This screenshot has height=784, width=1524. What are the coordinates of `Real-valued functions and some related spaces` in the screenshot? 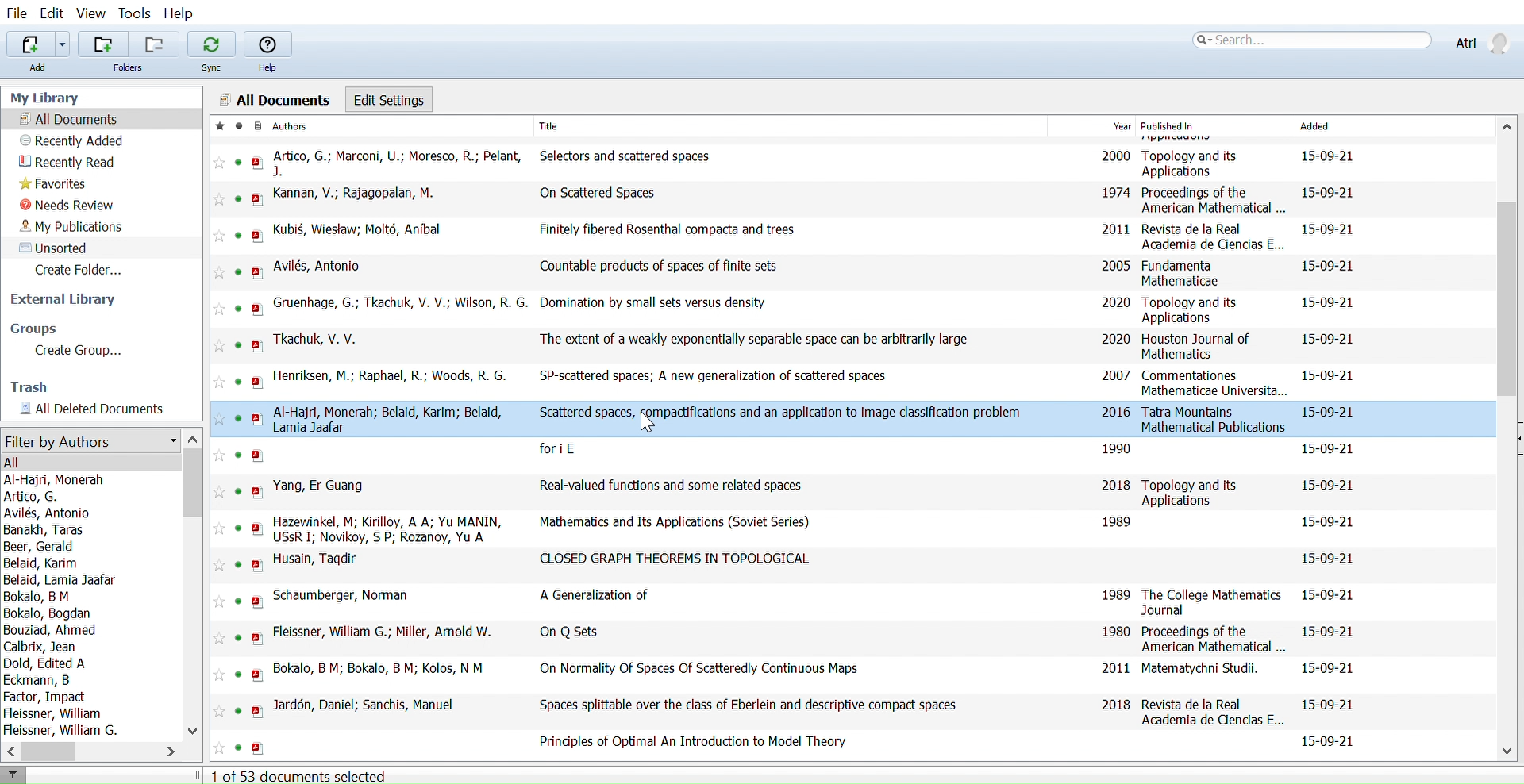 It's located at (680, 487).